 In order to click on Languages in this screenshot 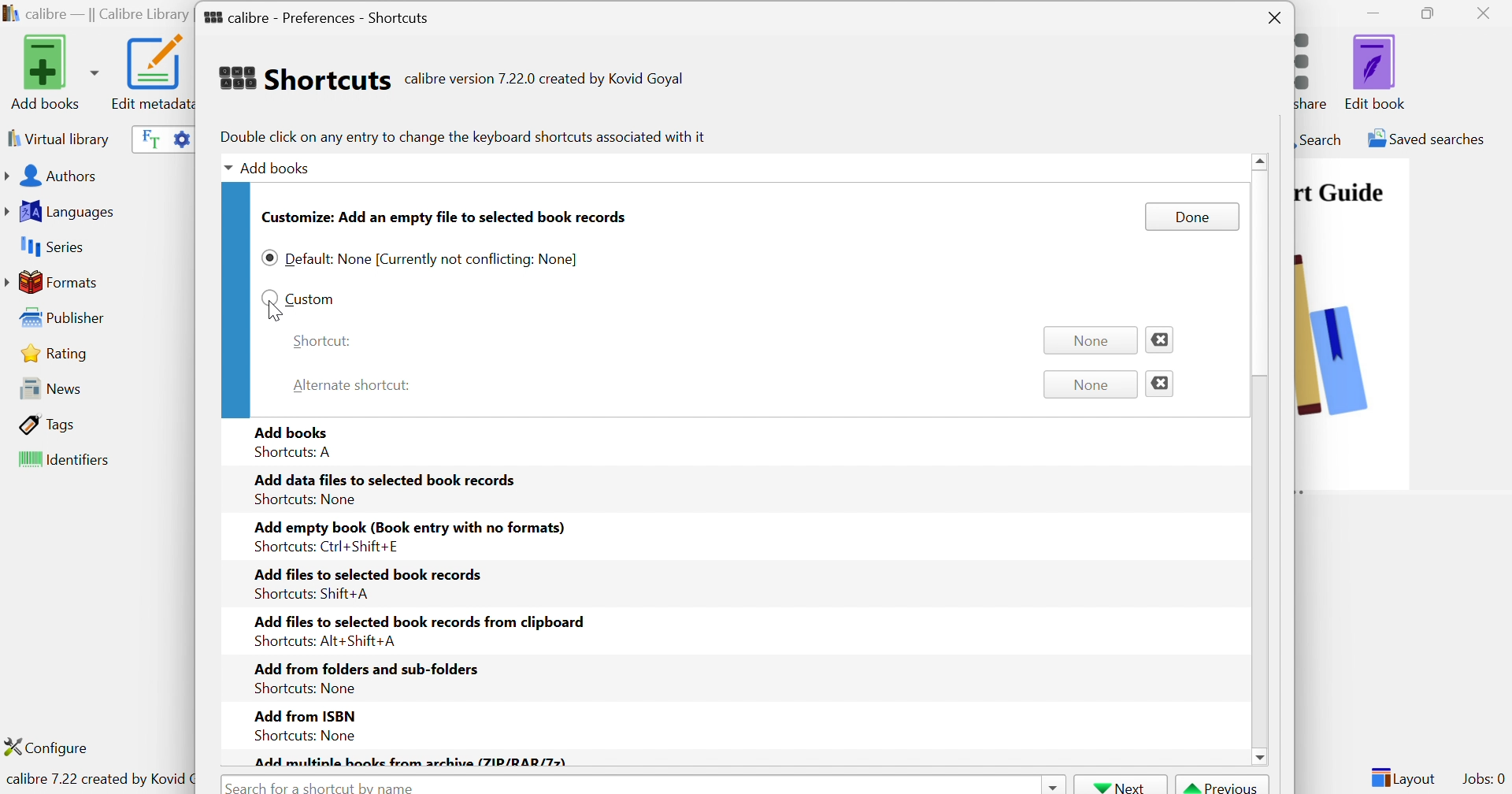, I will do `click(62, 212)`.